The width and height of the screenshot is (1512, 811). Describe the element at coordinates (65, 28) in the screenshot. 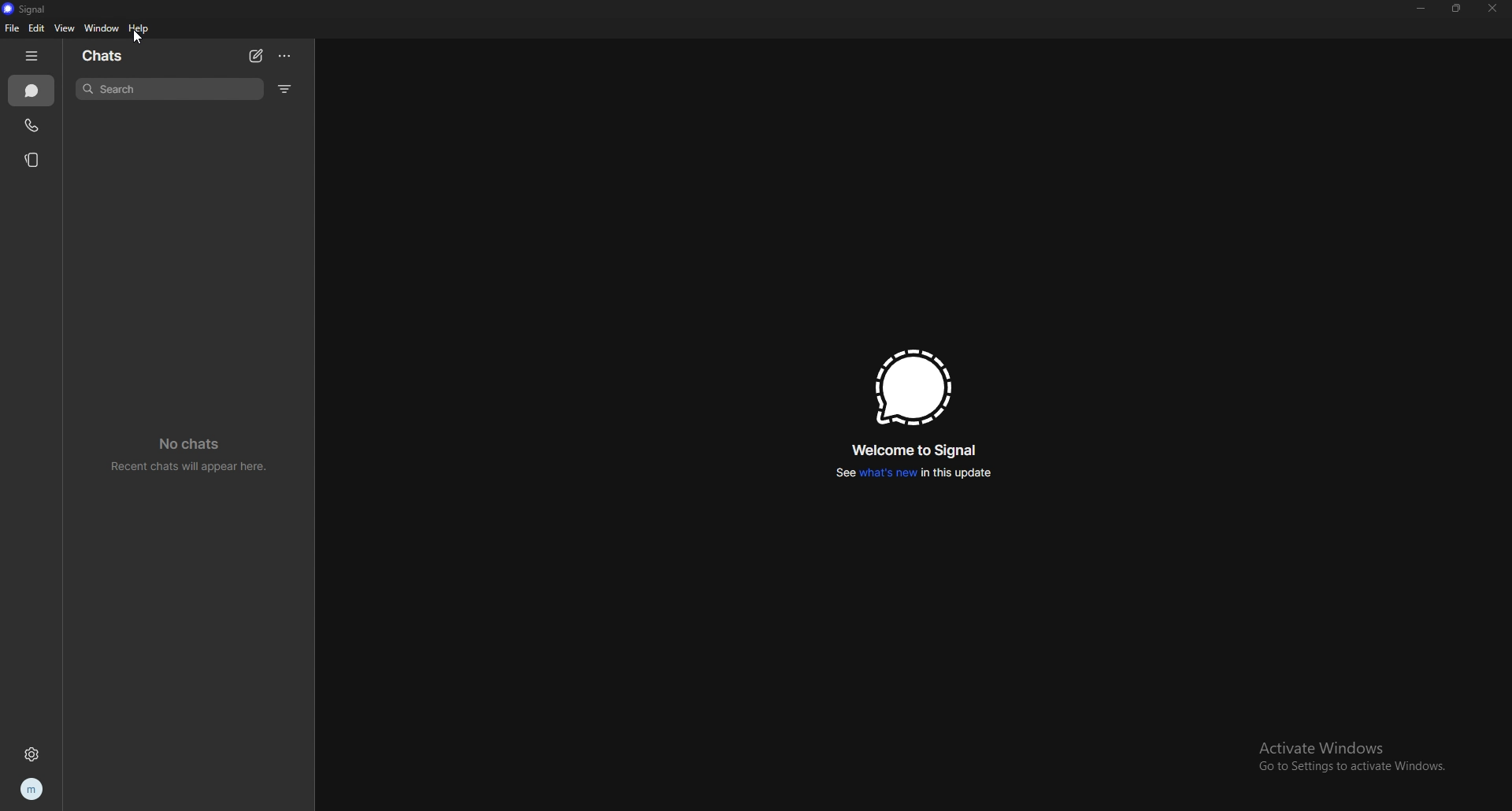

I see `view` at that location.